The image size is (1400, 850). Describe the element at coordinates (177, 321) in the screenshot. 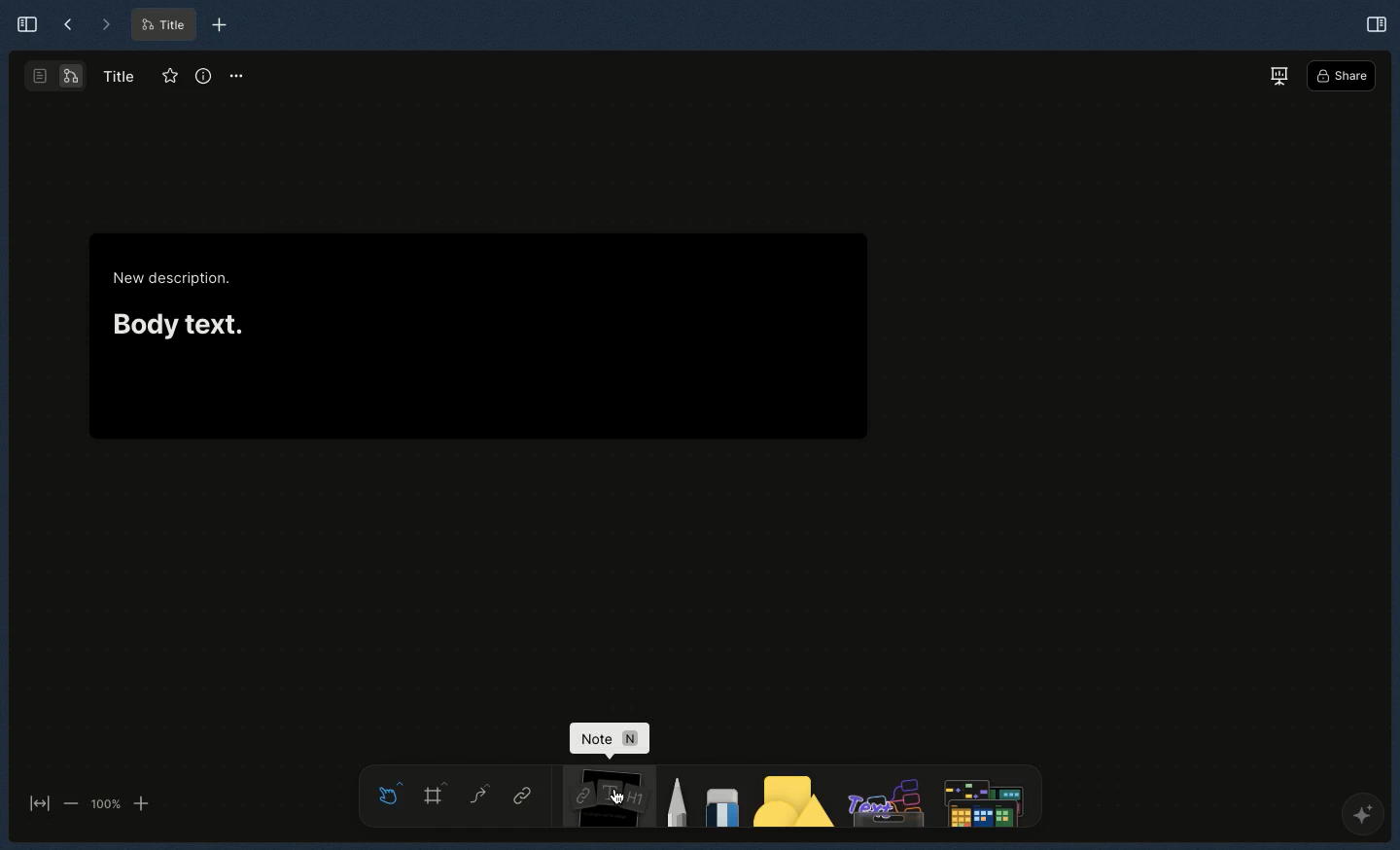

I see `Body text.` at that location.